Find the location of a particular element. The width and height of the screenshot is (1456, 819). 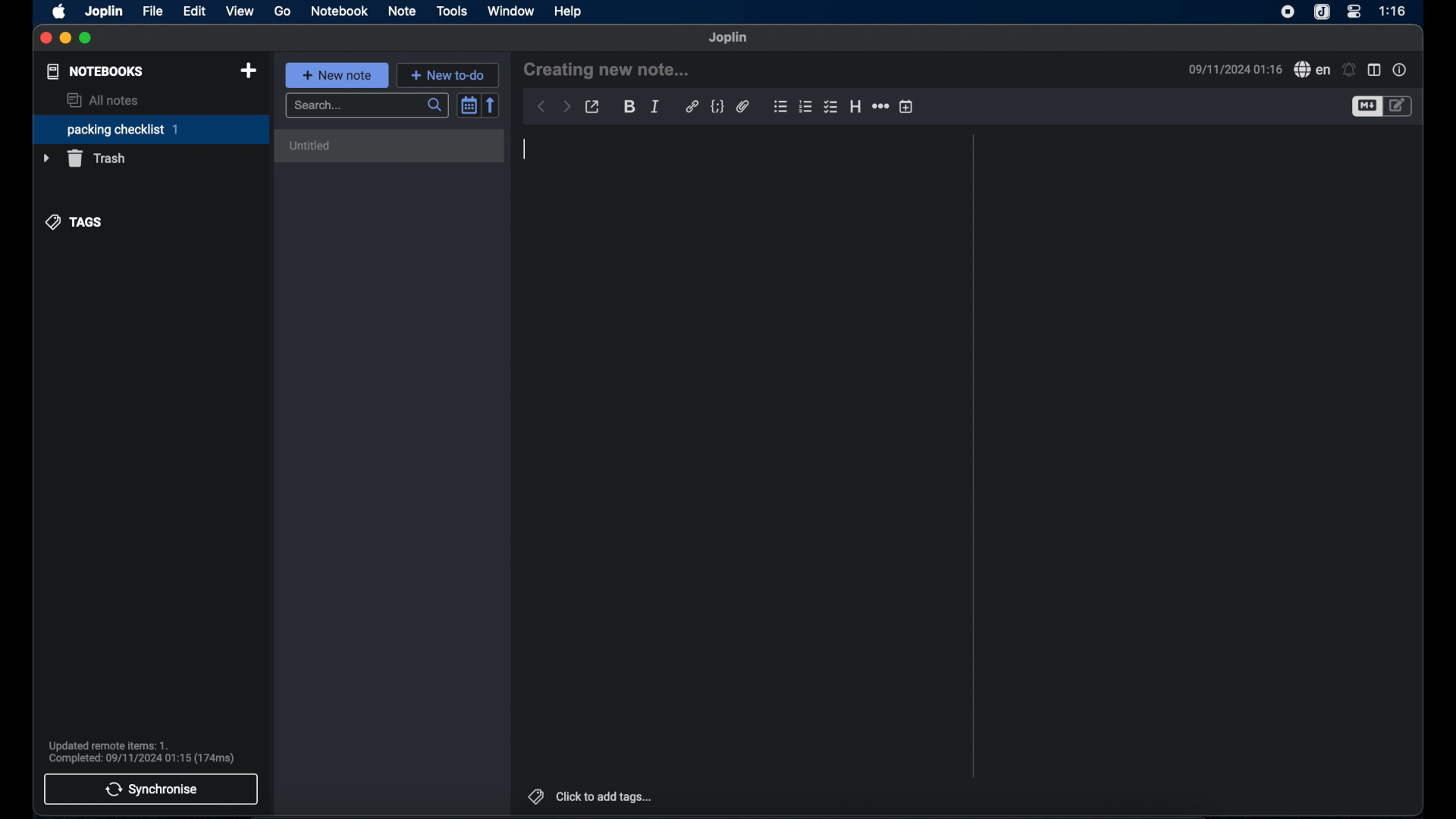

maximize is located at coordinates (86, 39).